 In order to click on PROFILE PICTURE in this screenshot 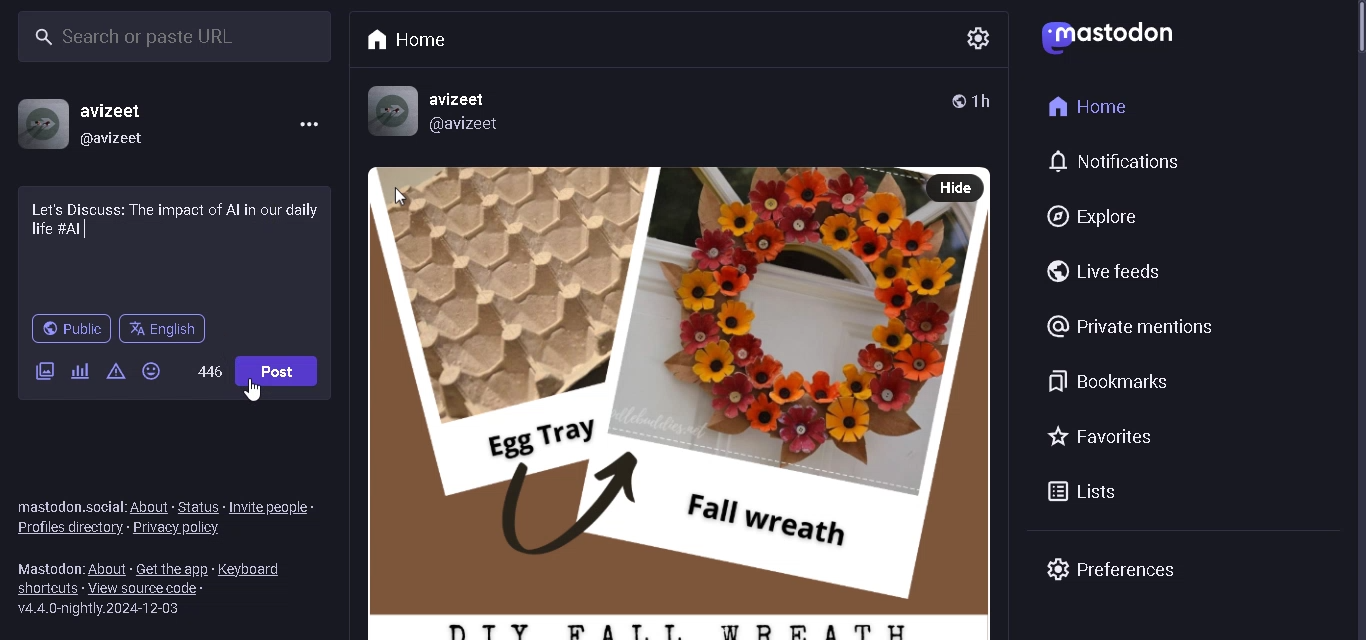, I will do `click(41, 124)`.